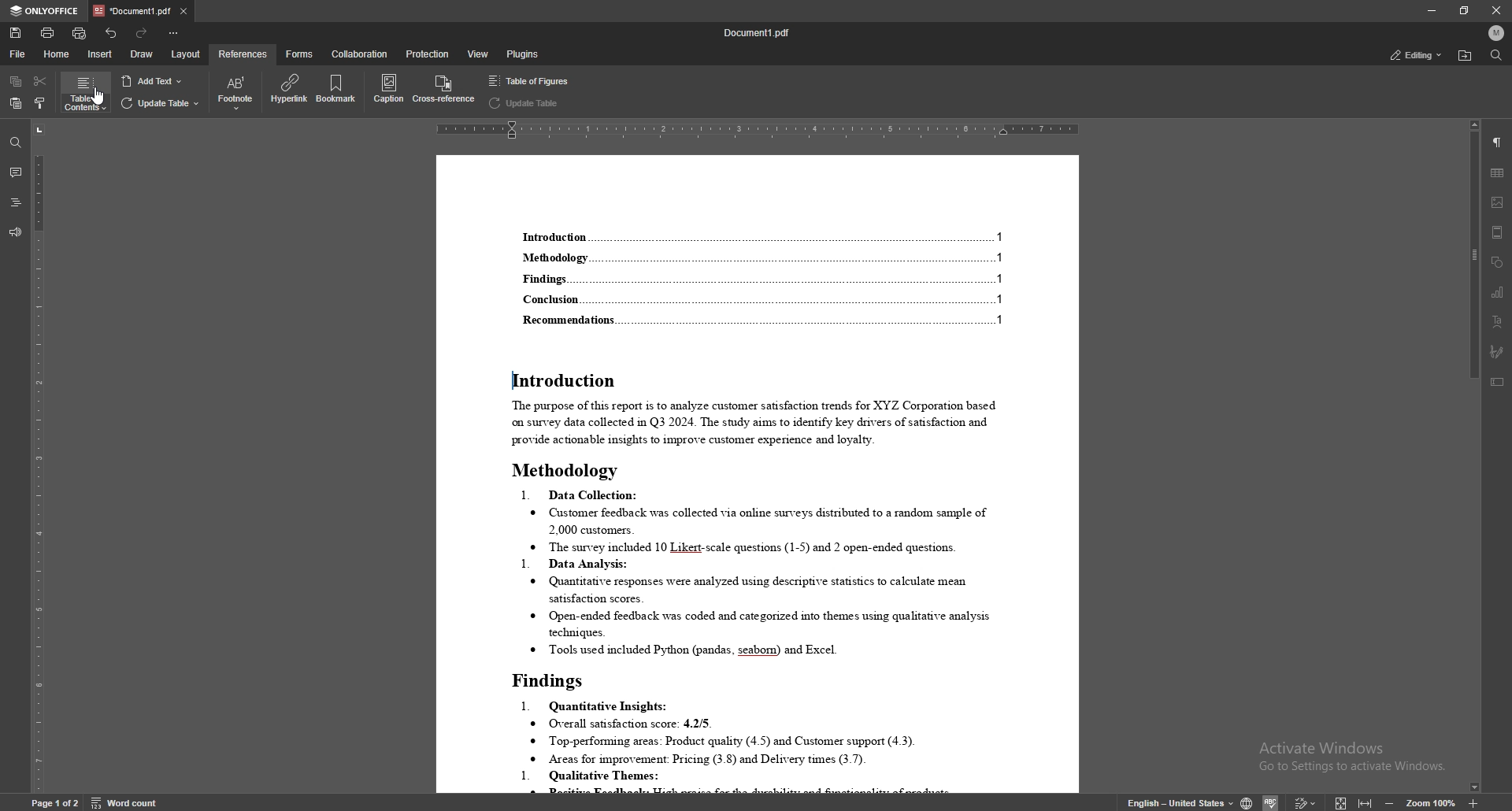  Describe the element at coordinates (16, 172) in the screenshot. I see `comment` at that location.